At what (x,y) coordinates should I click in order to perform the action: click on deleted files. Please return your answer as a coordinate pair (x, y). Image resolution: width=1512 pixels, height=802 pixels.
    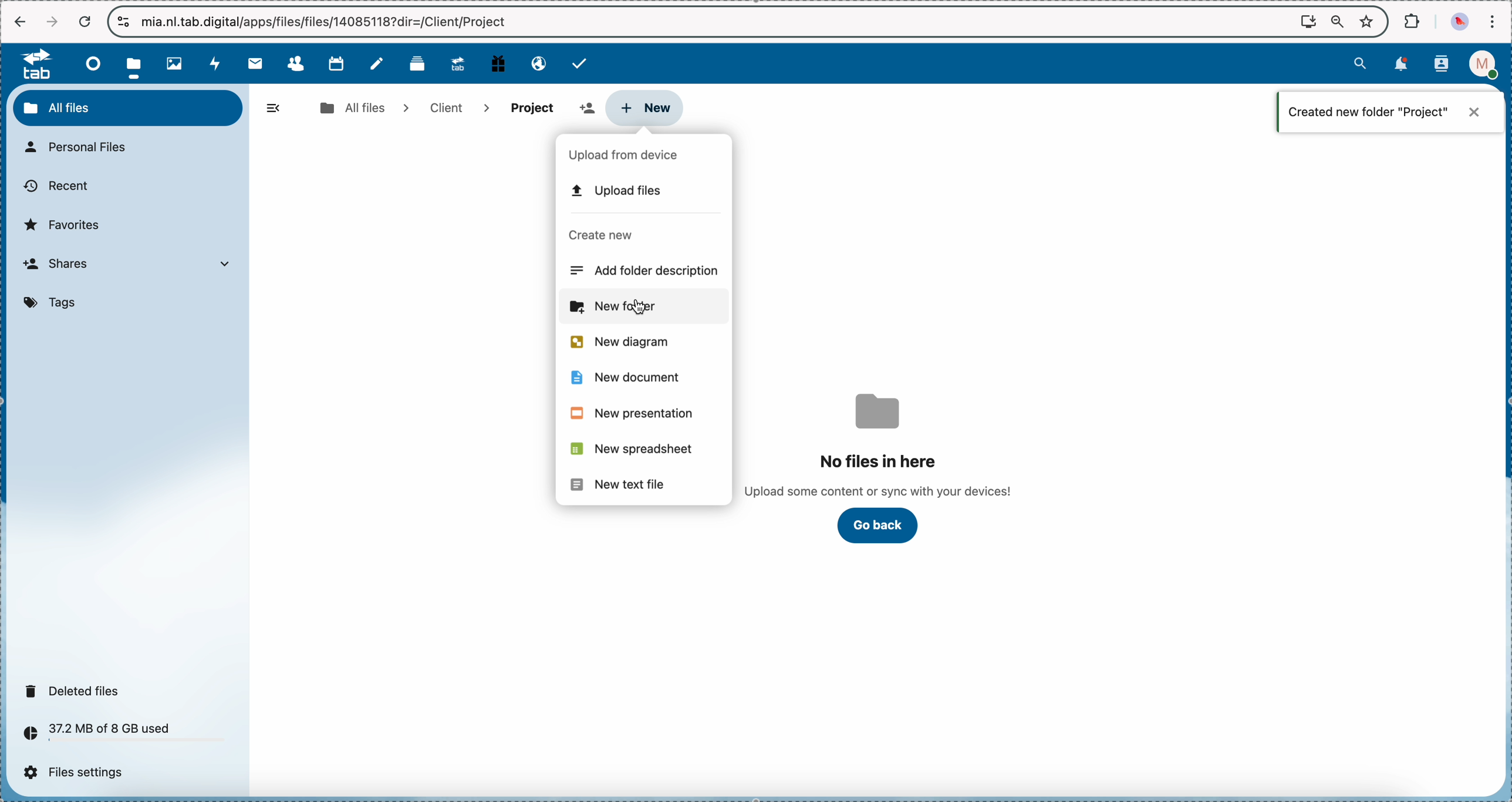
    Looking at the image, I should click on (76, 690).